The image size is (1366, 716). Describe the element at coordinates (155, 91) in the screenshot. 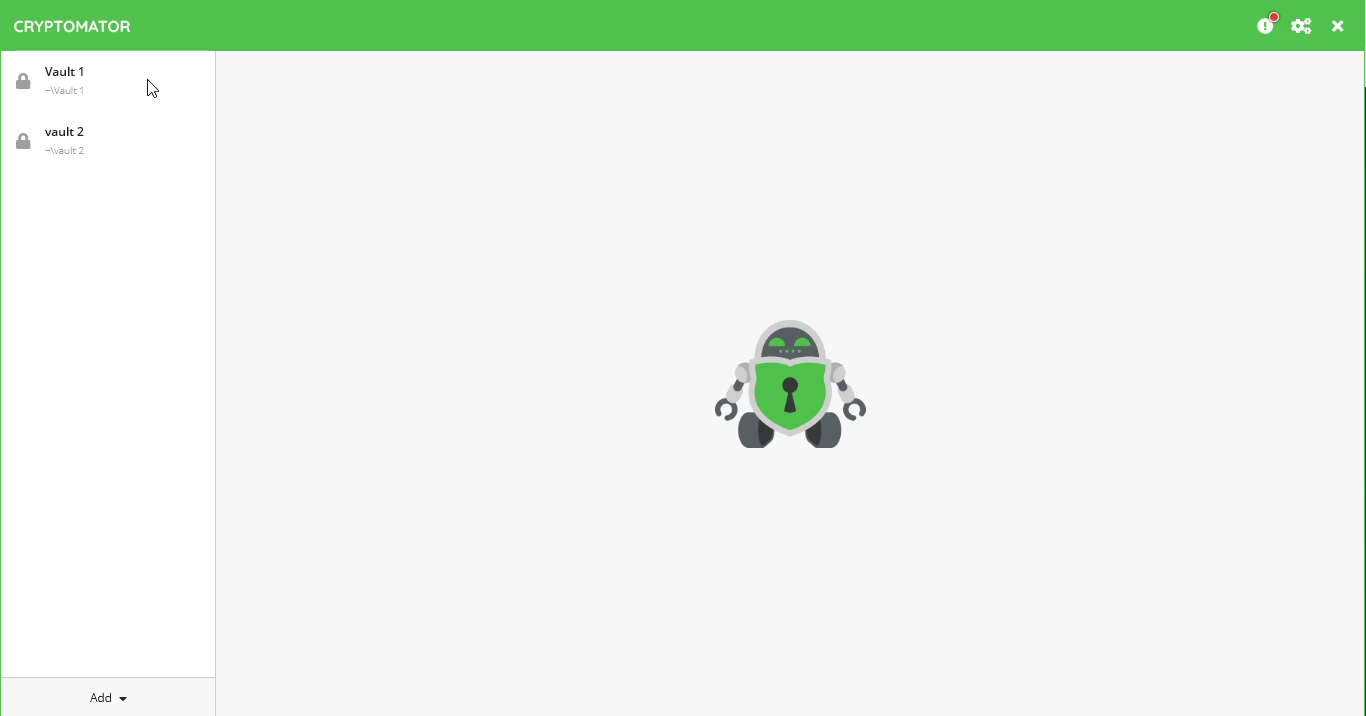

I see `cursor` at that location.